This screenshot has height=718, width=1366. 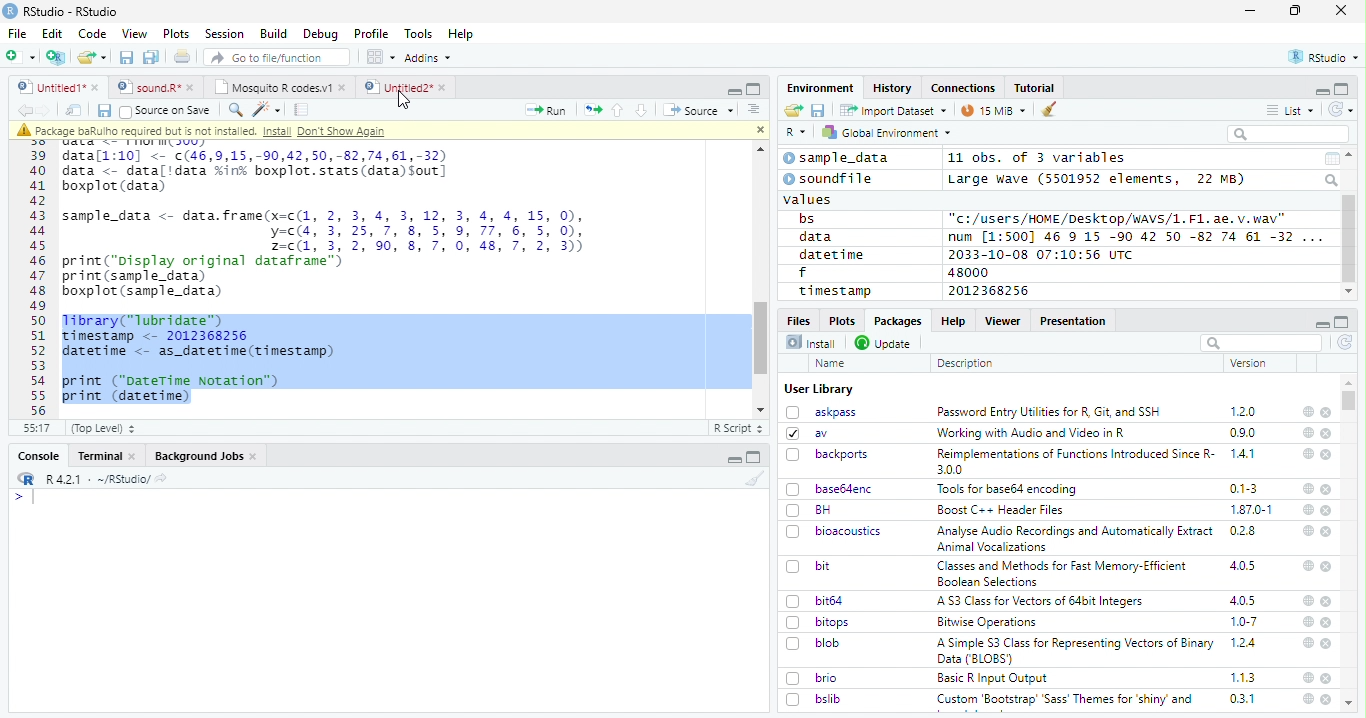 I want to click on 0.2.8, so click(x=1244, y=530).